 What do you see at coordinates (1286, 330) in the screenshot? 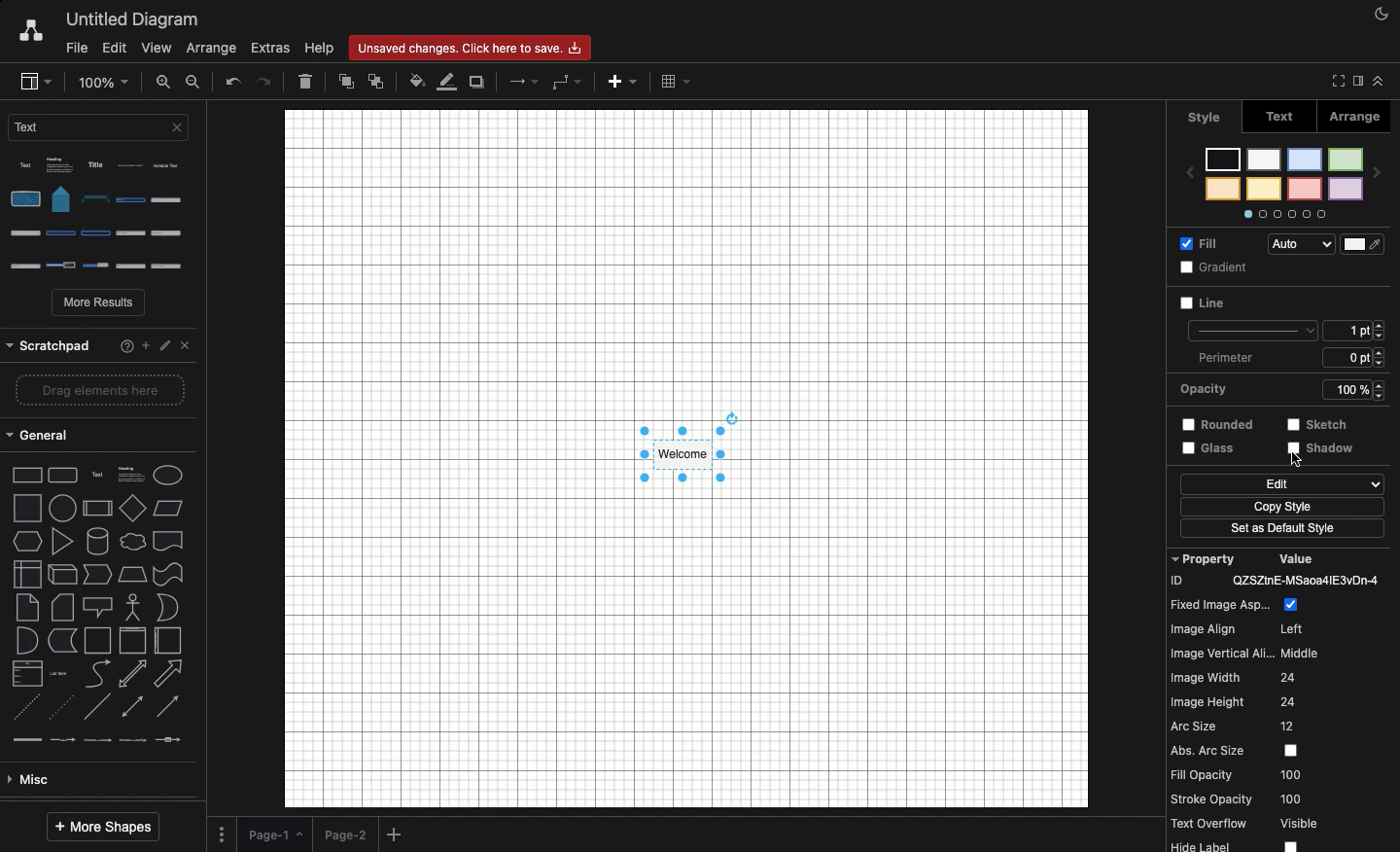
I see `Perimeter` at bounding box center [1286, 330].